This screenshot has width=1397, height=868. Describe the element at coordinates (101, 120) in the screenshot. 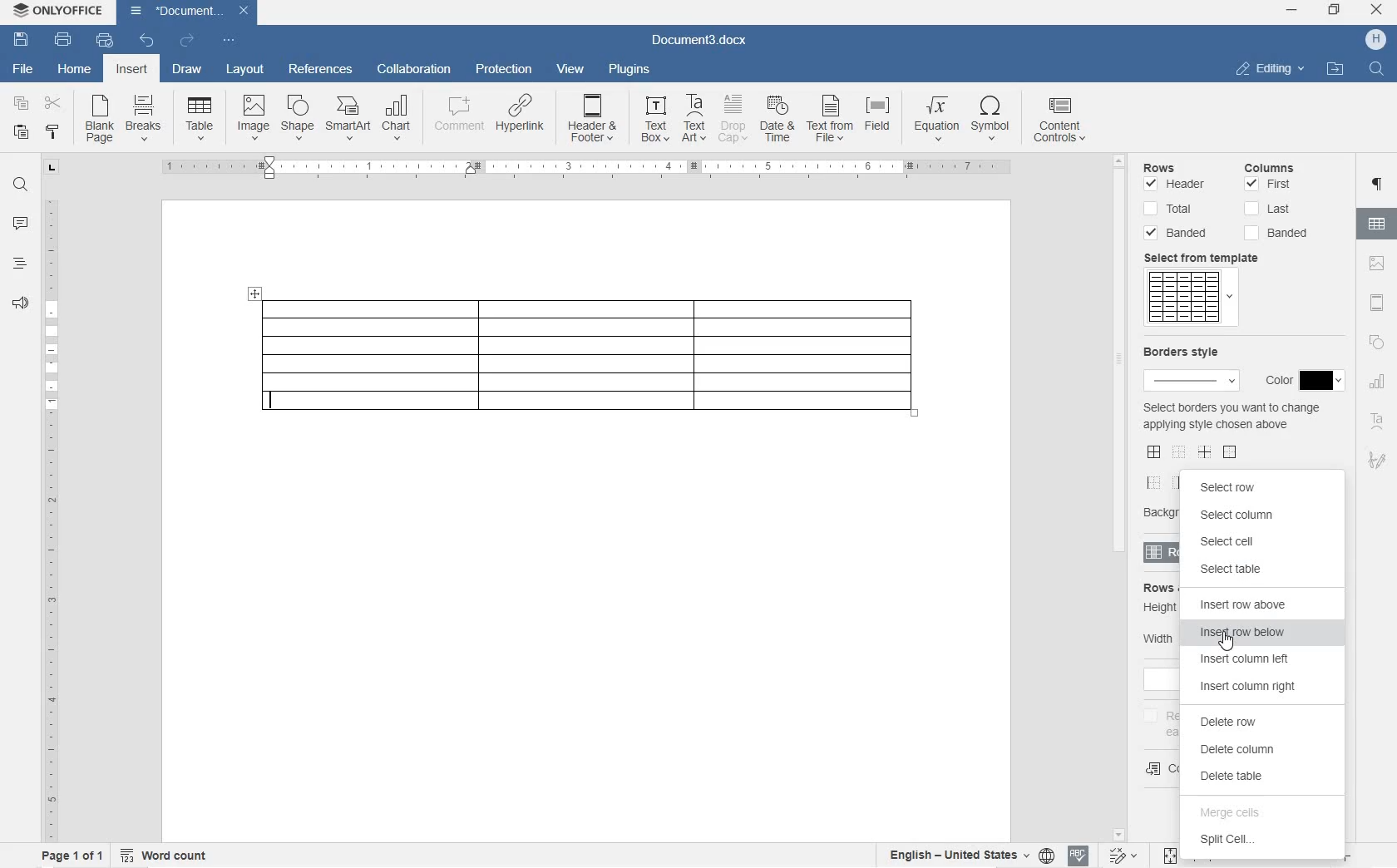

I see `BLANK PAGE` at that location.